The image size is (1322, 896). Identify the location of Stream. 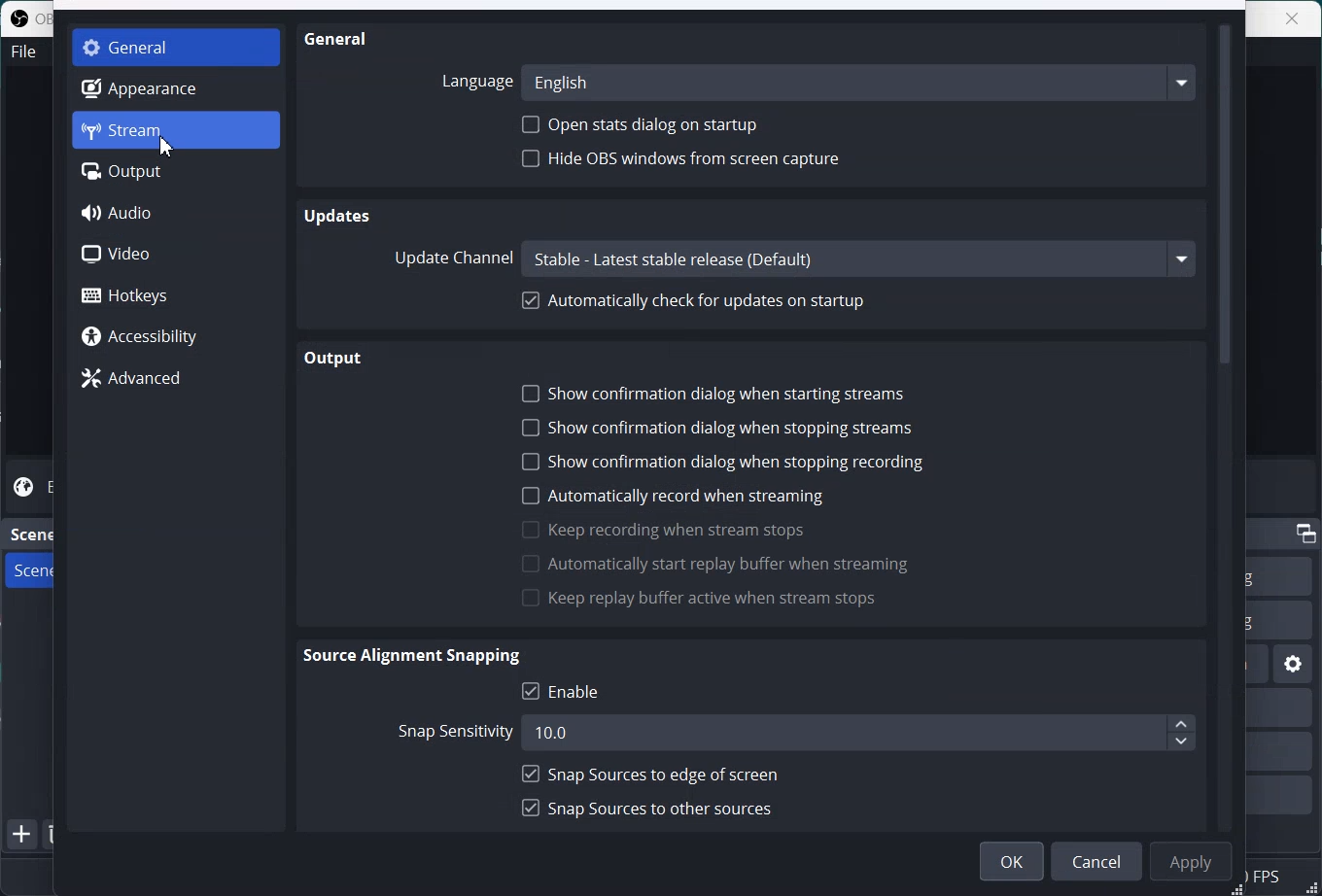
(176, 130).